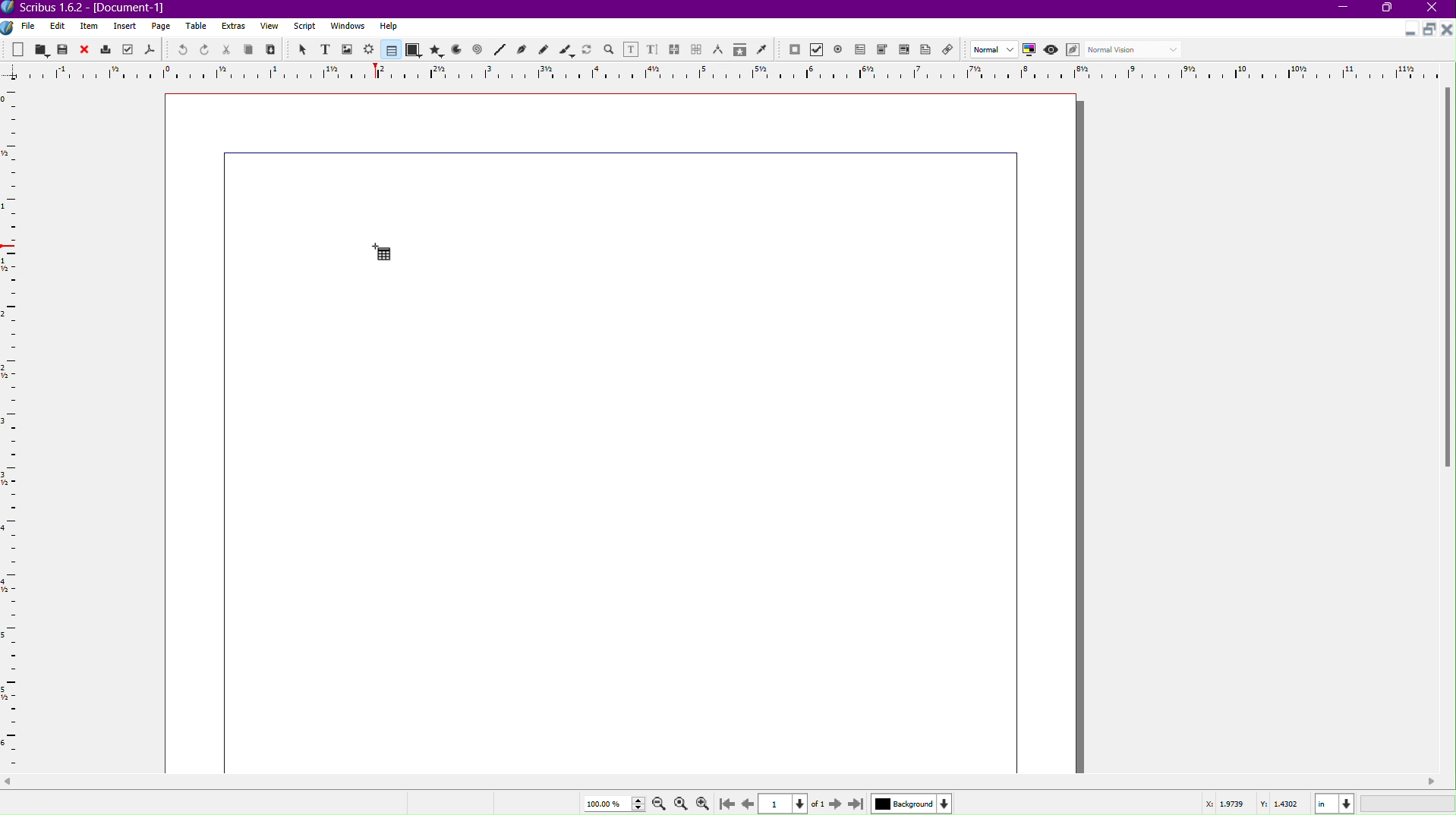 This screenshot has height=815, width=1456. What do you see at coordinates (389, 26) in the screenshot?
I see `Help` at bounding box center [389, 26].